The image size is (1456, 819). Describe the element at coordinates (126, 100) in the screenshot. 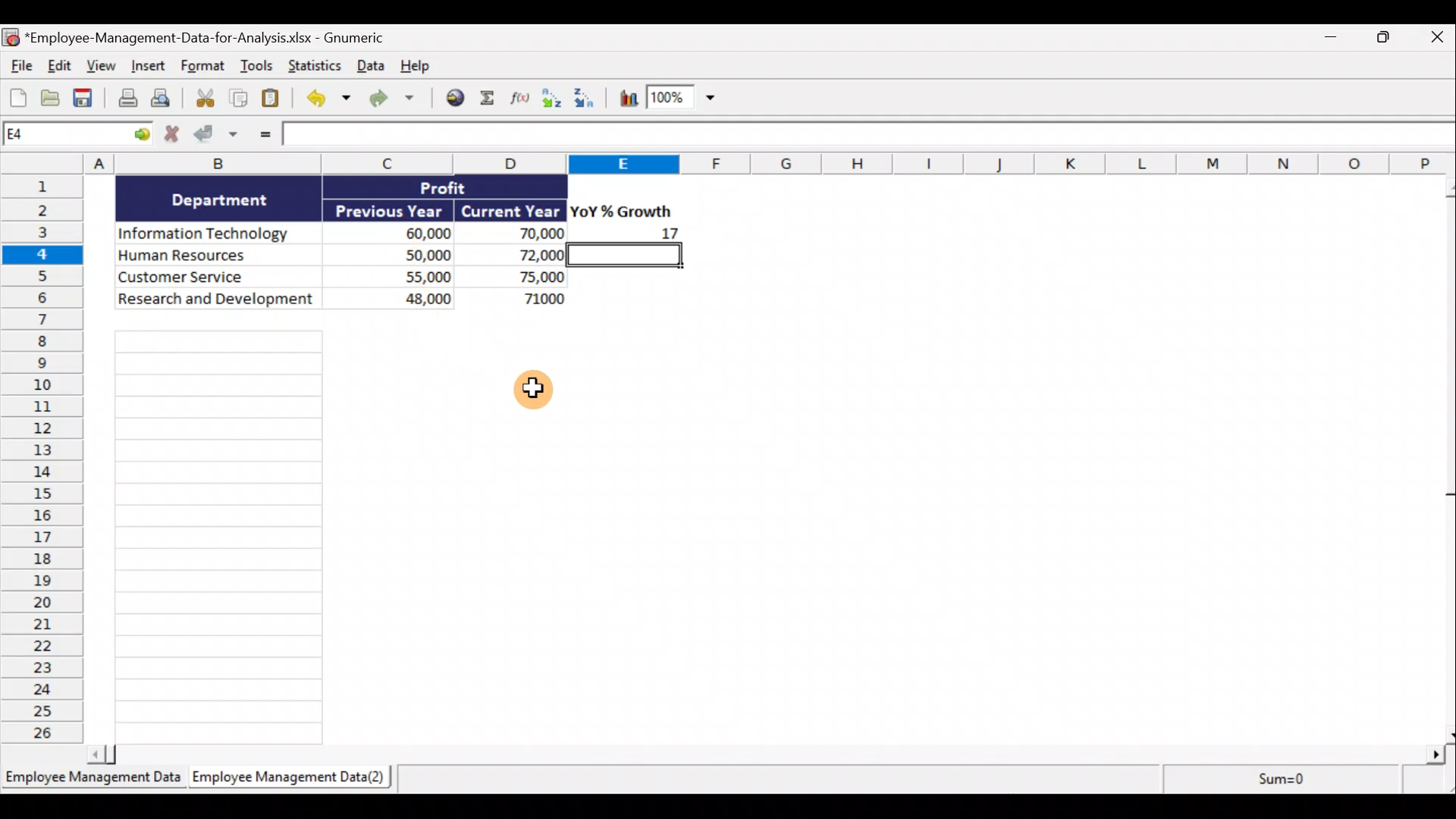

I see `Print the current file` at that location.